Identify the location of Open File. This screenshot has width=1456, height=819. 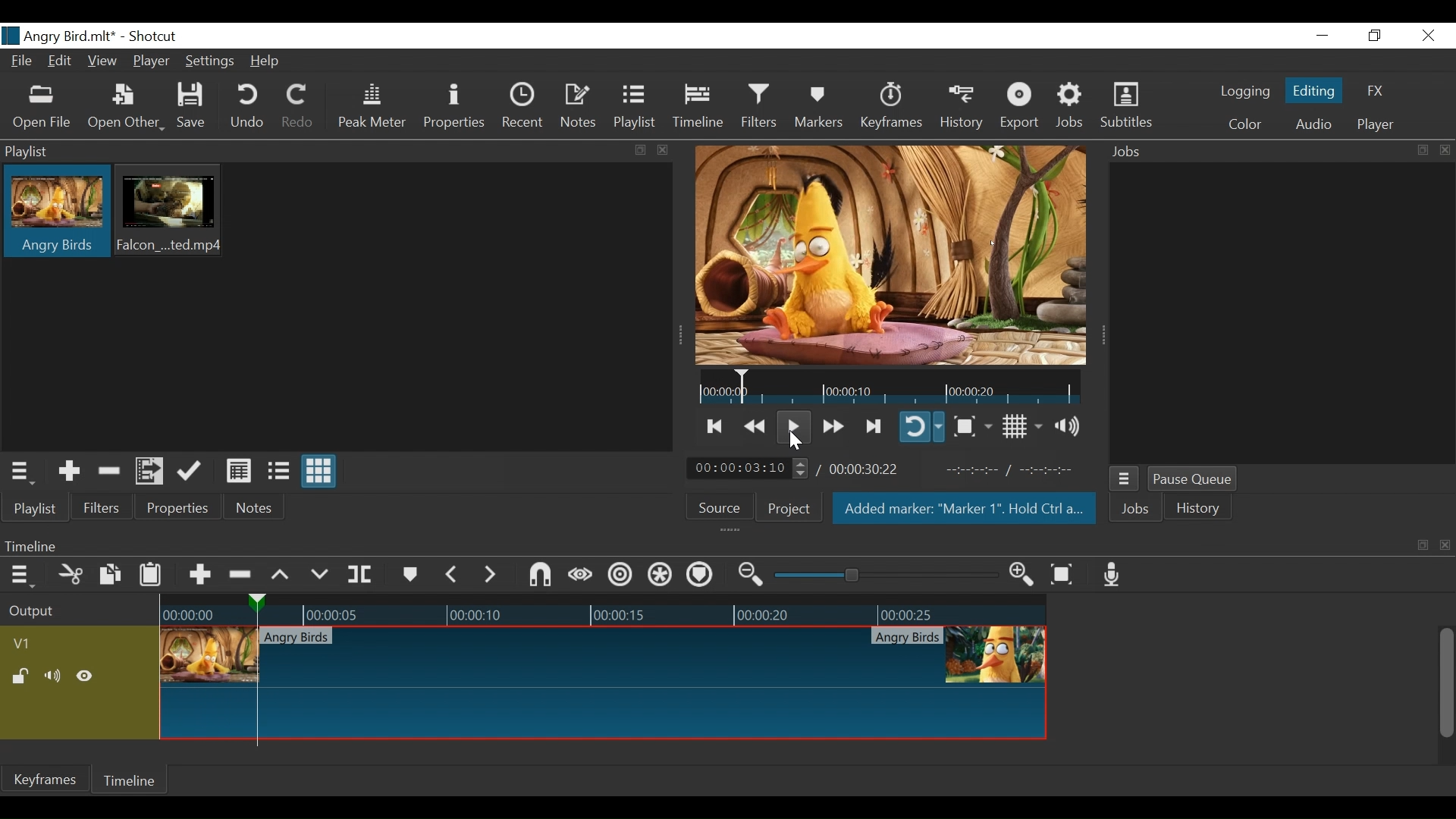
(45, 106).